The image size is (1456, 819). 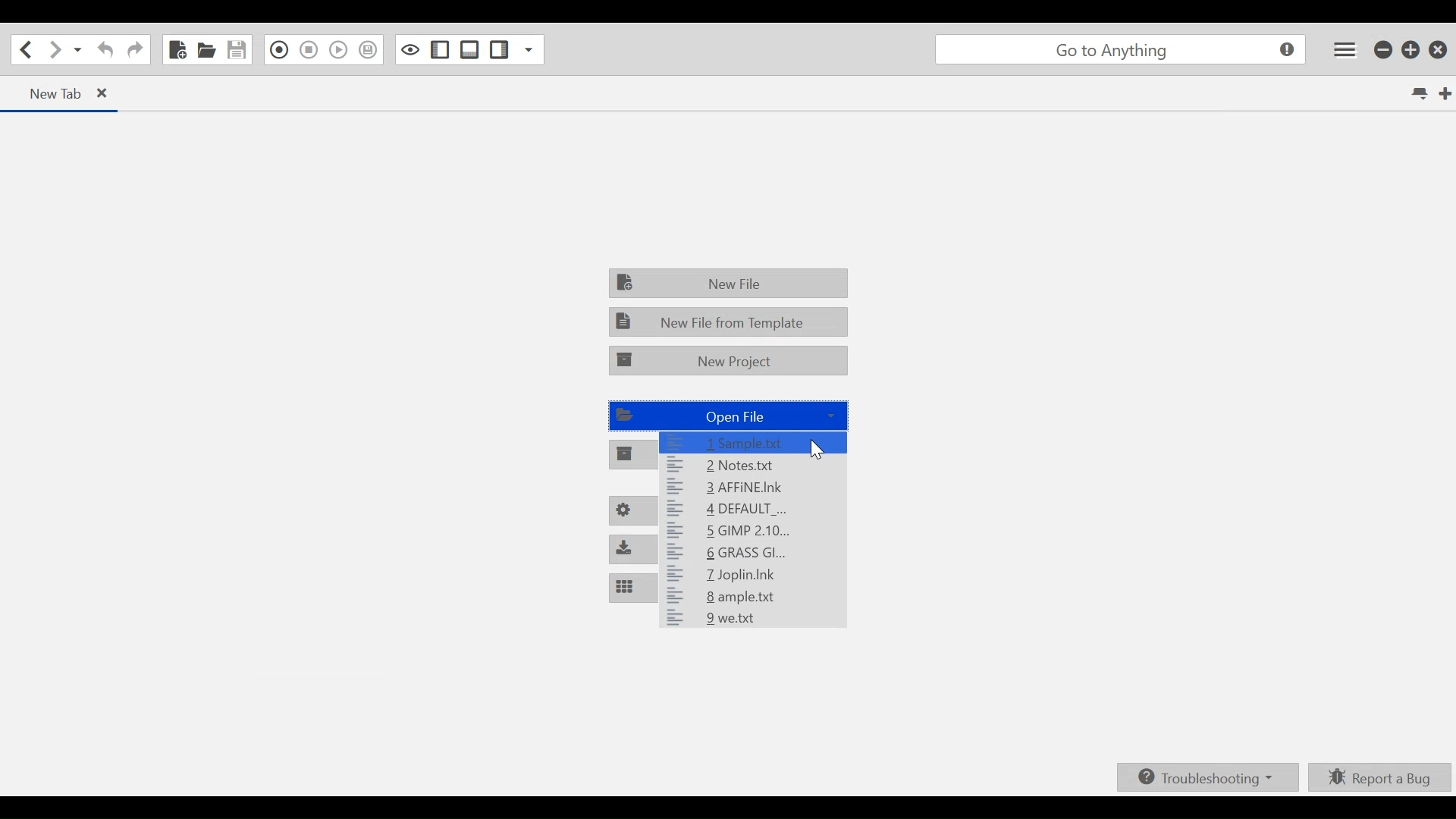 I want to click on List all tabs, so click(x=1414, y=93).